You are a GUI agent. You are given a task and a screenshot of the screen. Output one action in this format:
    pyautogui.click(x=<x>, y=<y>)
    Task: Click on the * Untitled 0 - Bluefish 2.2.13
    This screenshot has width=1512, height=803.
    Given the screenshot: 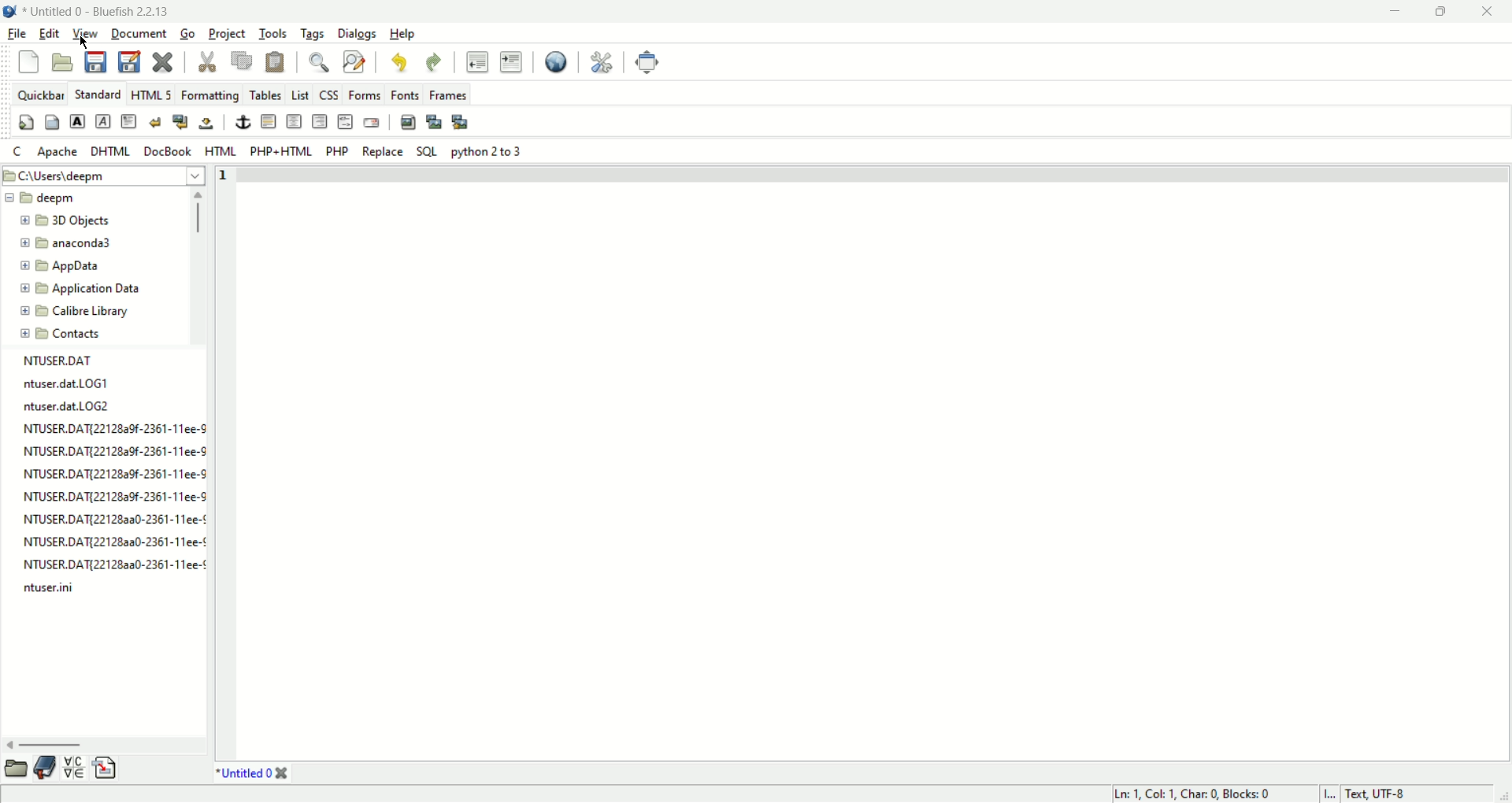 What is the action you would take?
    pyautogui.click(x=95, y=12)
    